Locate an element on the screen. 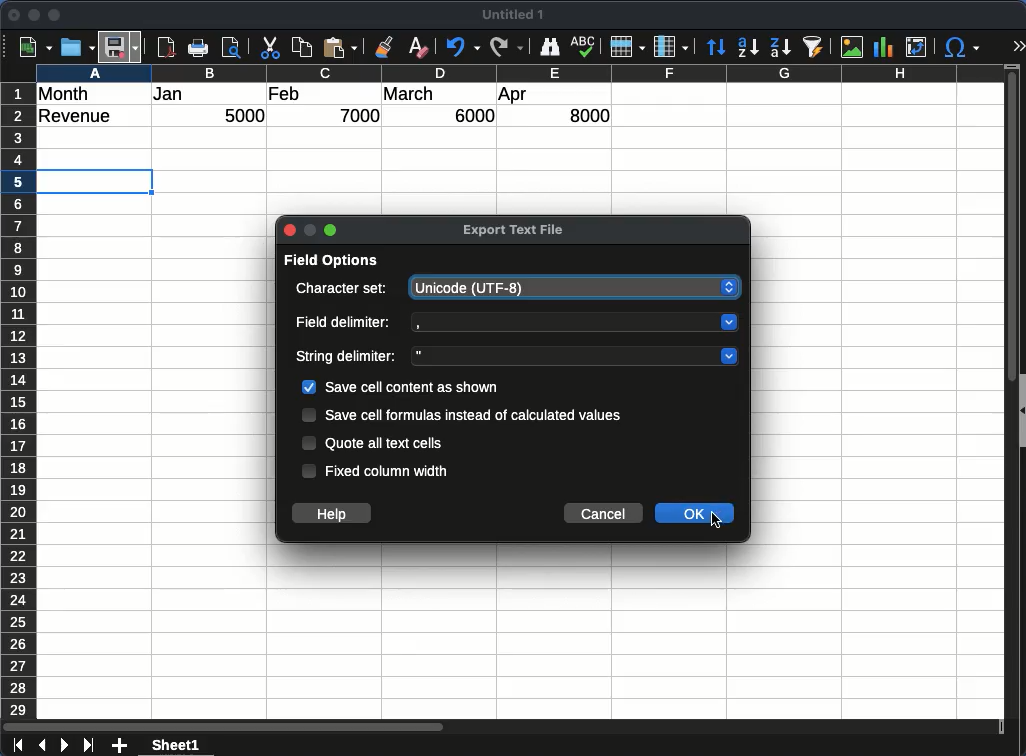  7000 is located at coordinates (362, 115).